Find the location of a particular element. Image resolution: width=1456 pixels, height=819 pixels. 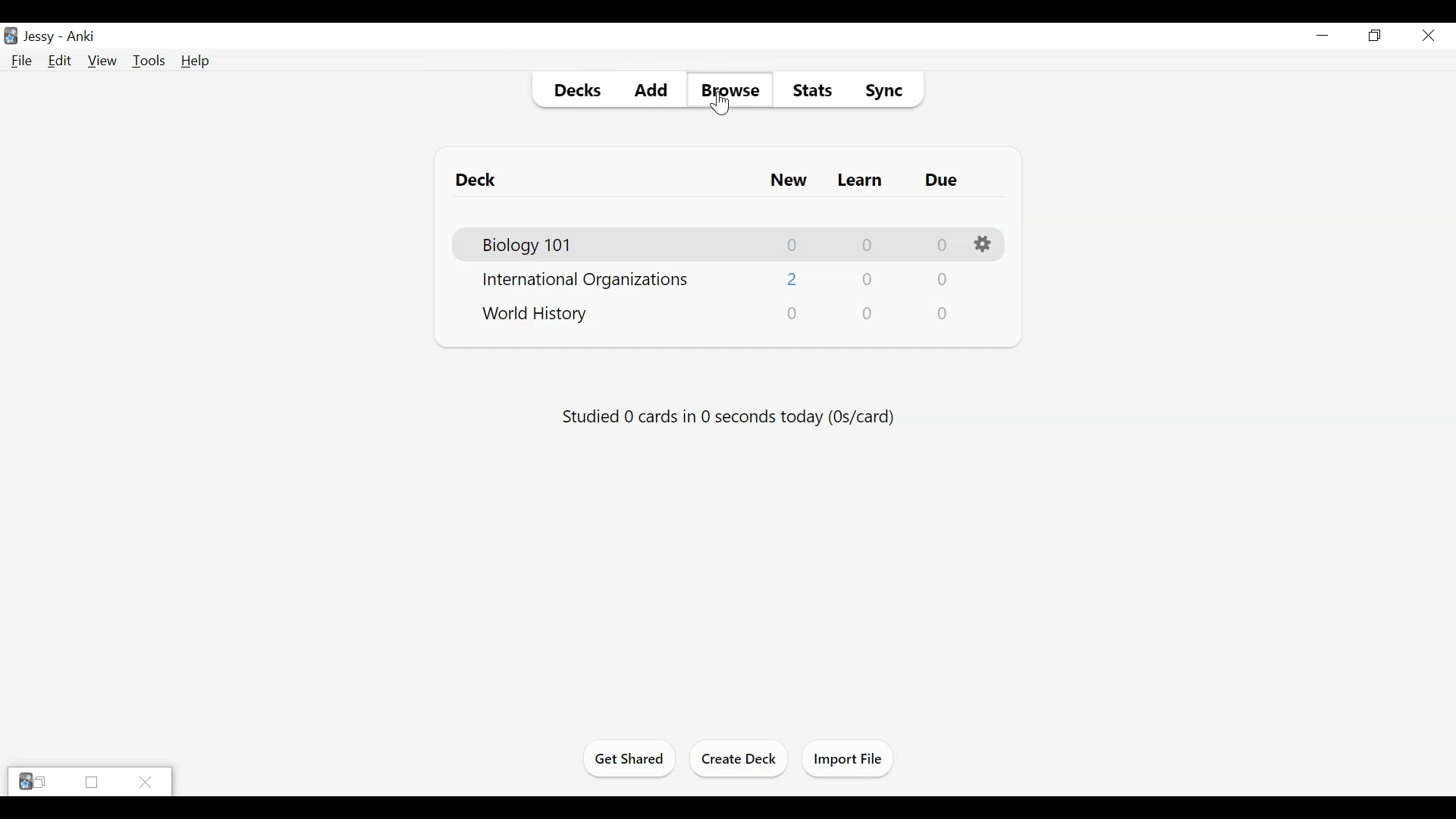

Learn Card Count is located at coordinates (867, 246).